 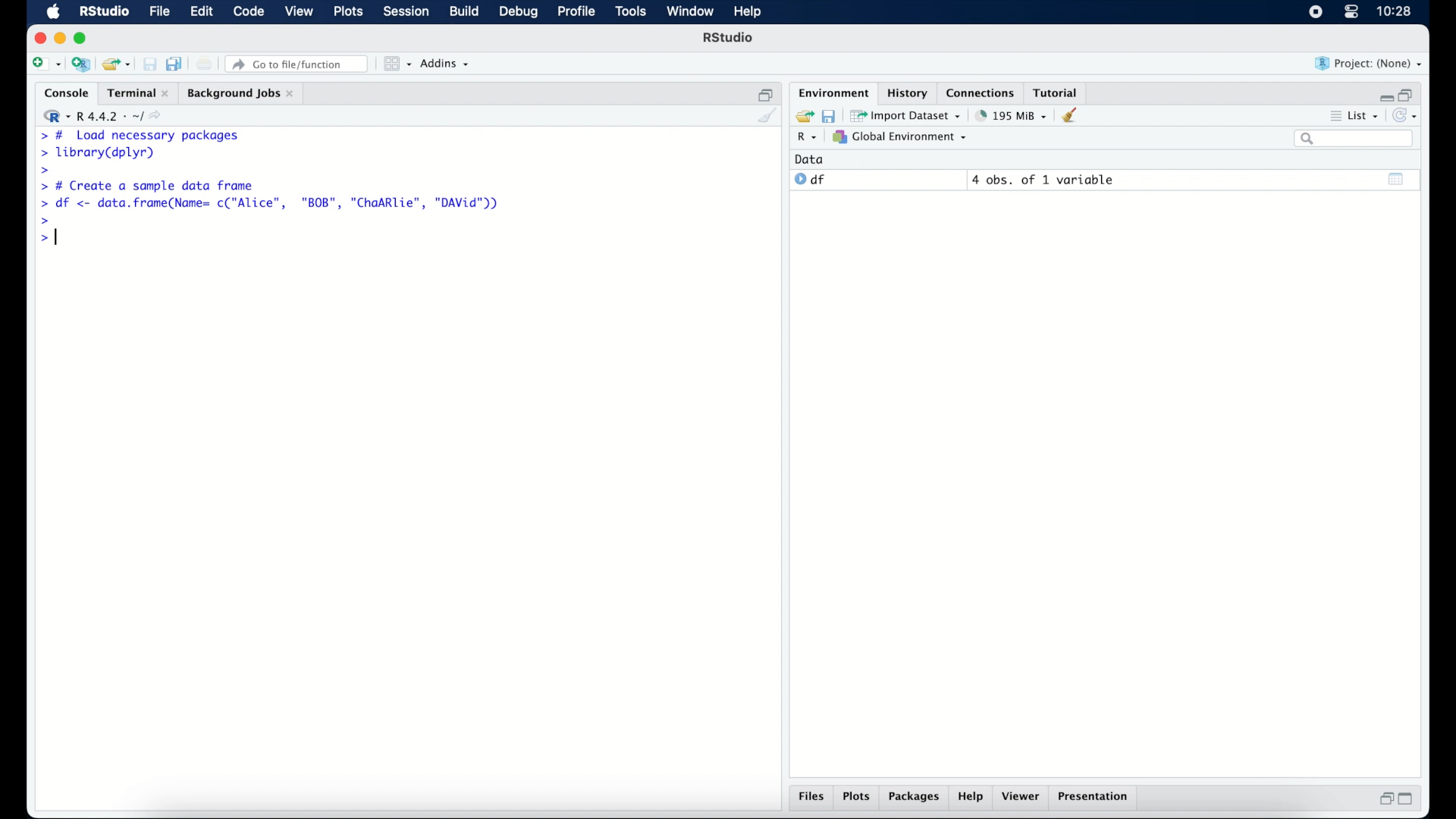 What do you see at coordinates (1394, 11) in the screenshot?
I see `10.27` at bounding box center [1394, 11].